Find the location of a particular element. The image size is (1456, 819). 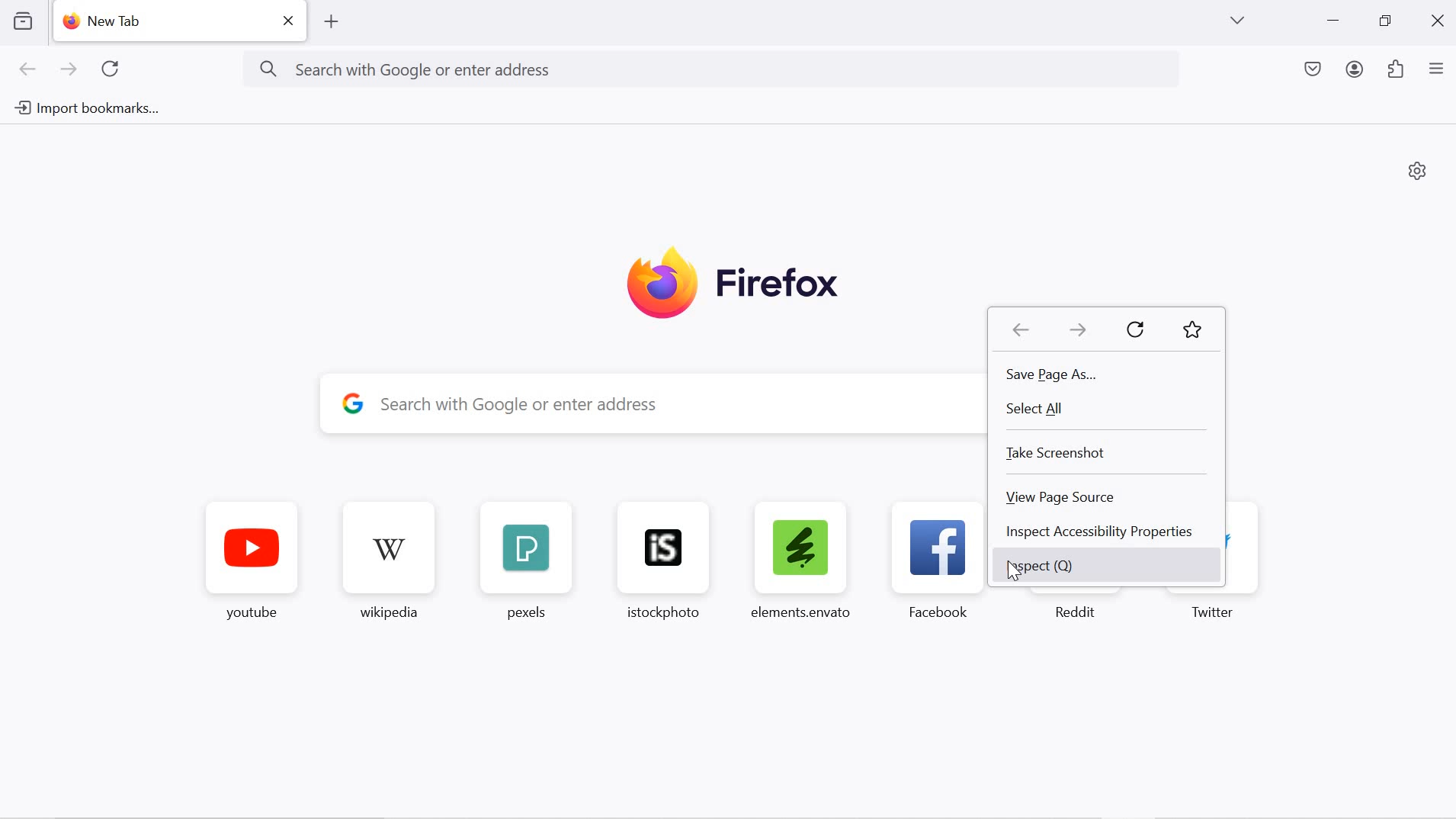

Inspect accessibility properties is located at coordinates (1108, 532).